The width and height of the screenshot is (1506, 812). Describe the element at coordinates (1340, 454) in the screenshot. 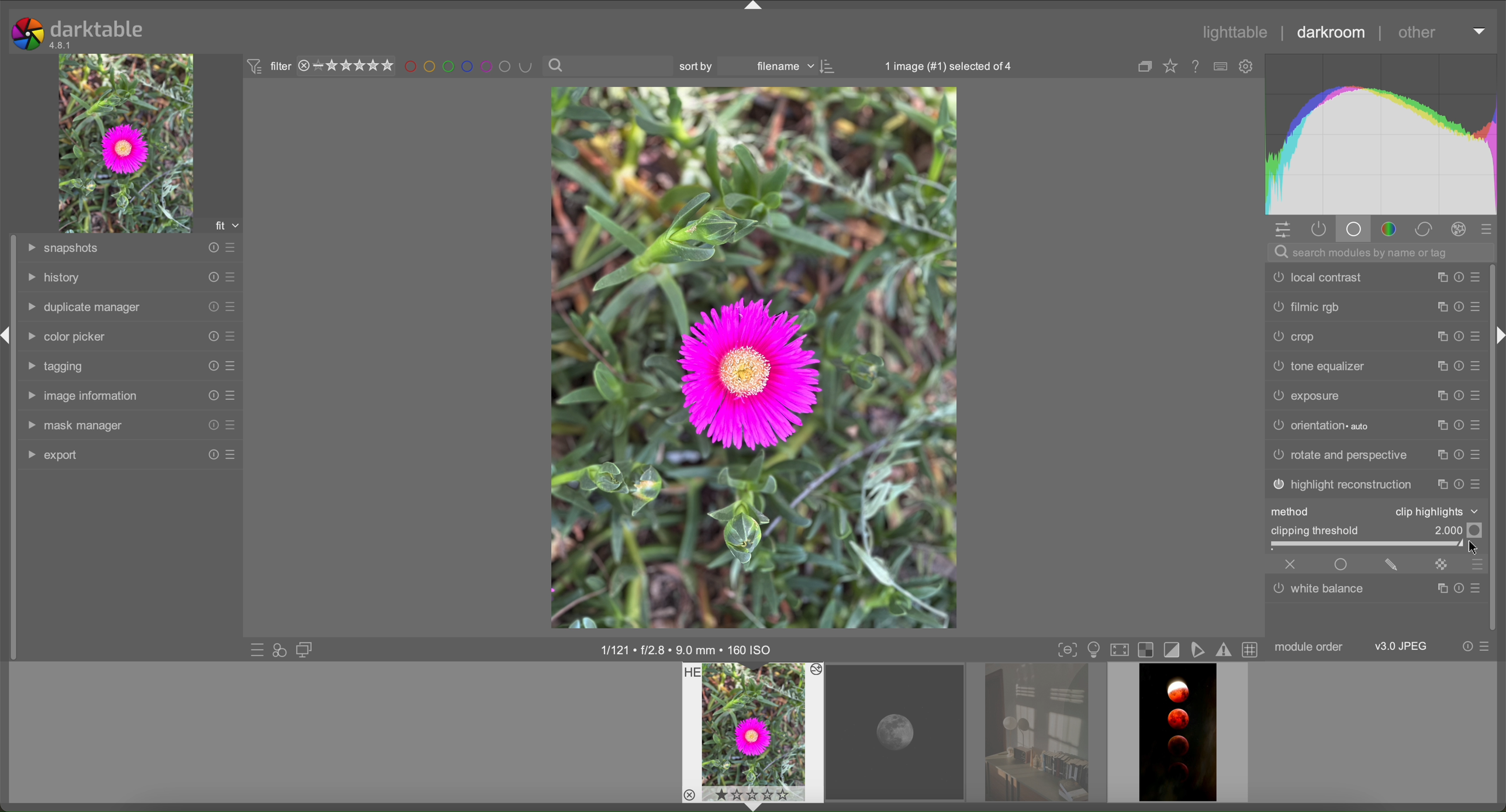

I see `rotate and perspective` at that location.